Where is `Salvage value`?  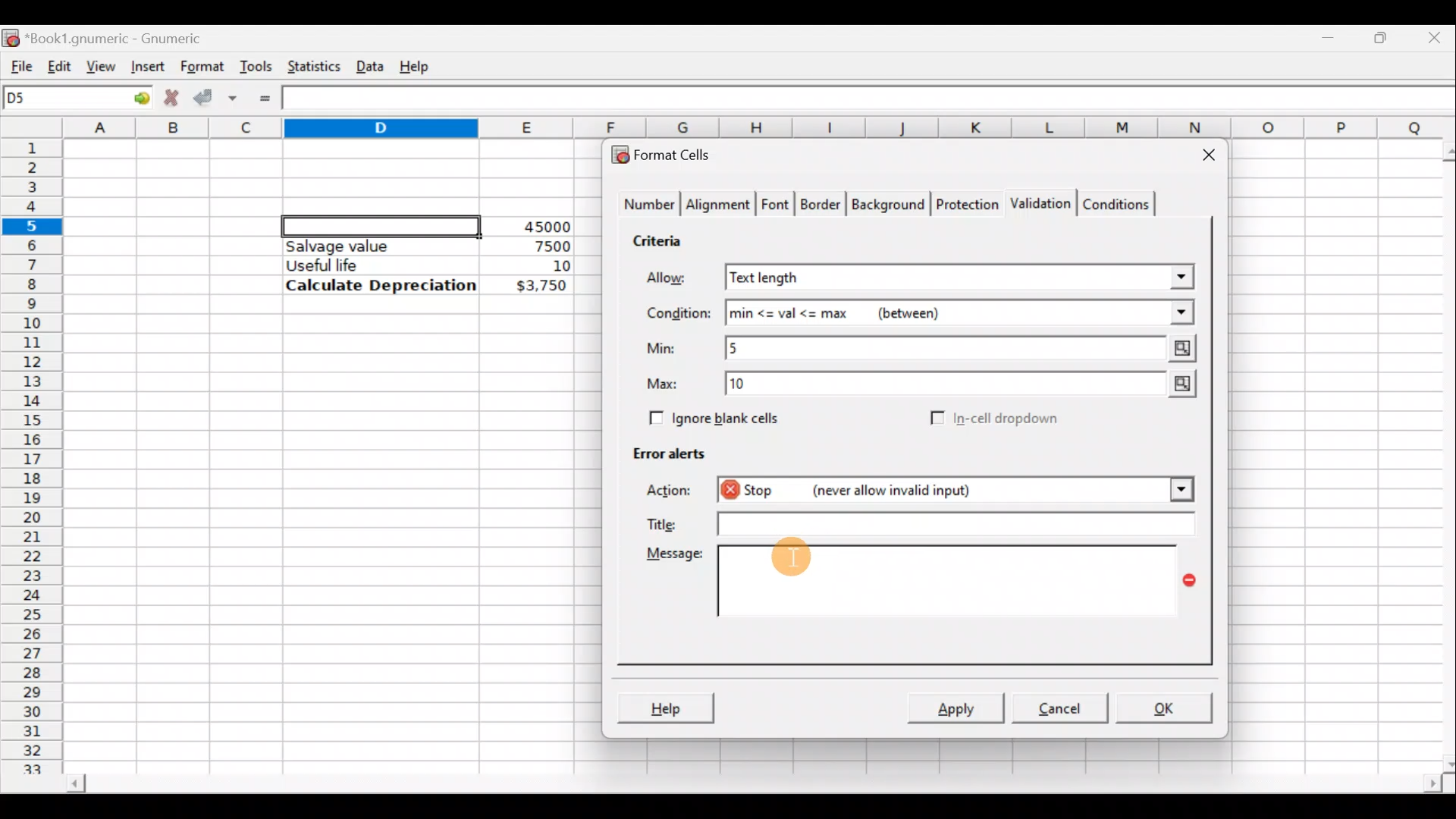 Salvage value is located at coordinates (367, 246).